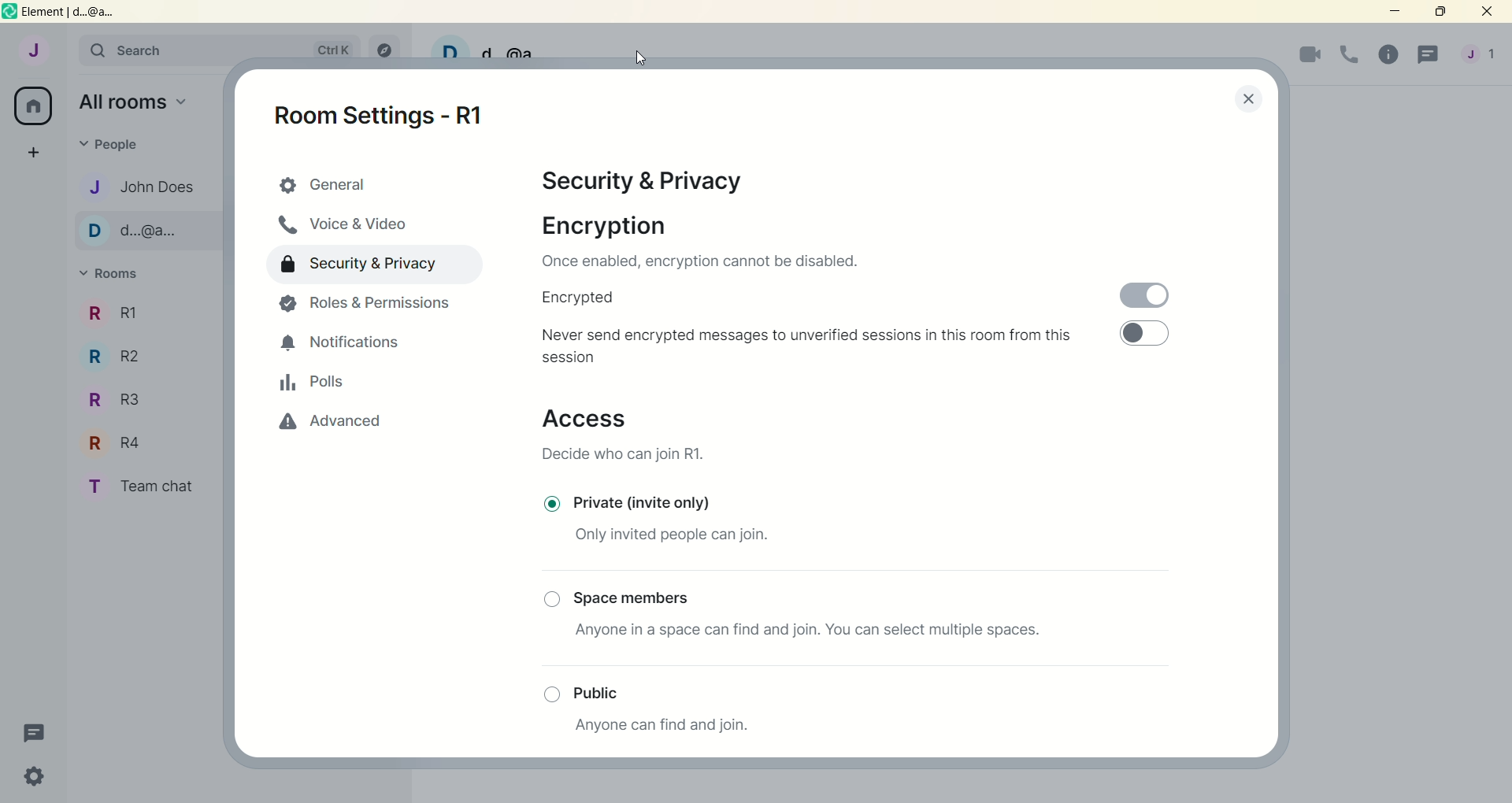  Describe the element at coordinates (9, 12) in the screenshot. I see `logo` at that location.